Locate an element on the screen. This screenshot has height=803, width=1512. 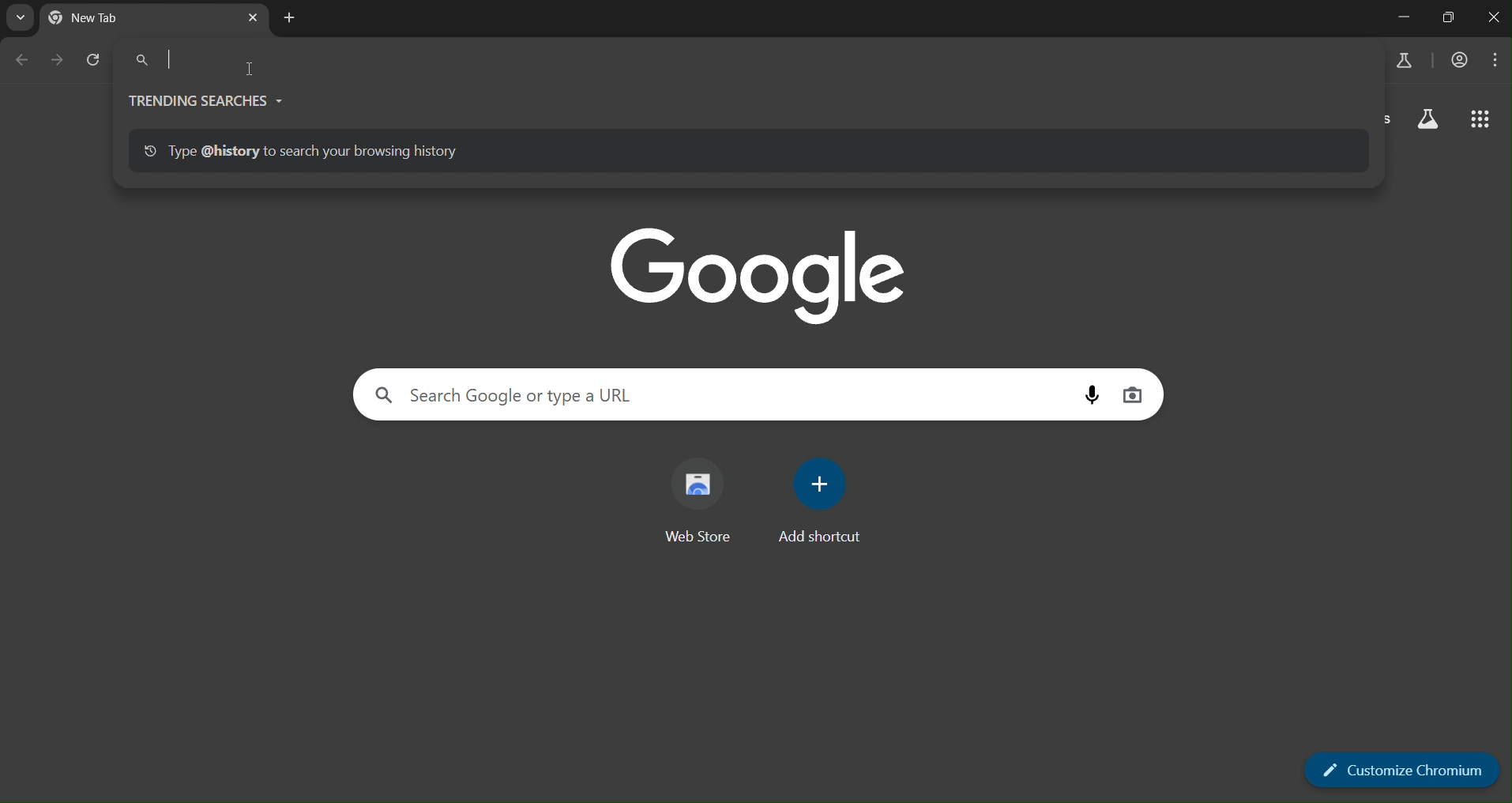
close is located at coordinates (1494, 20).